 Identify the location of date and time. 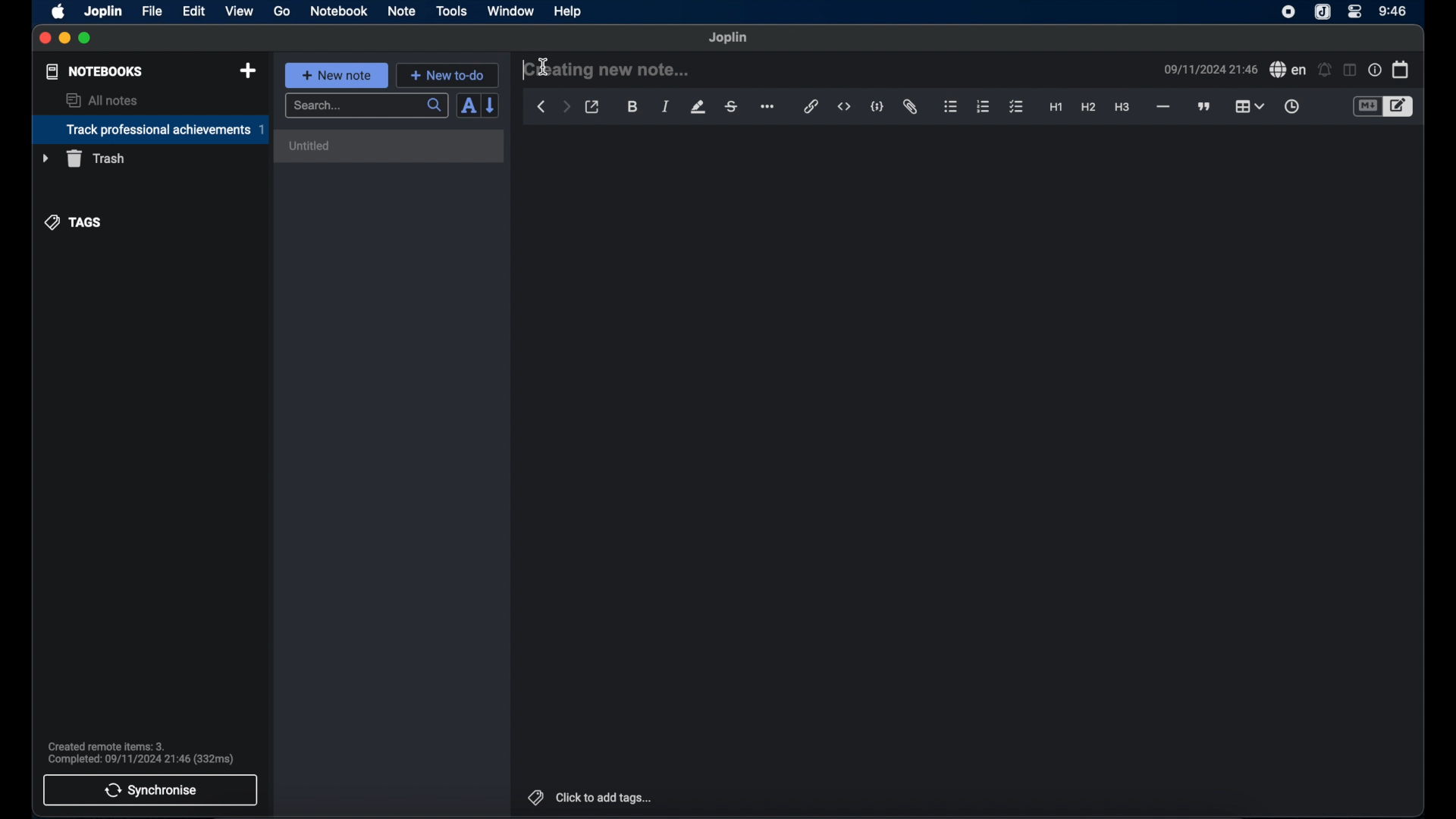
(1210, 69).